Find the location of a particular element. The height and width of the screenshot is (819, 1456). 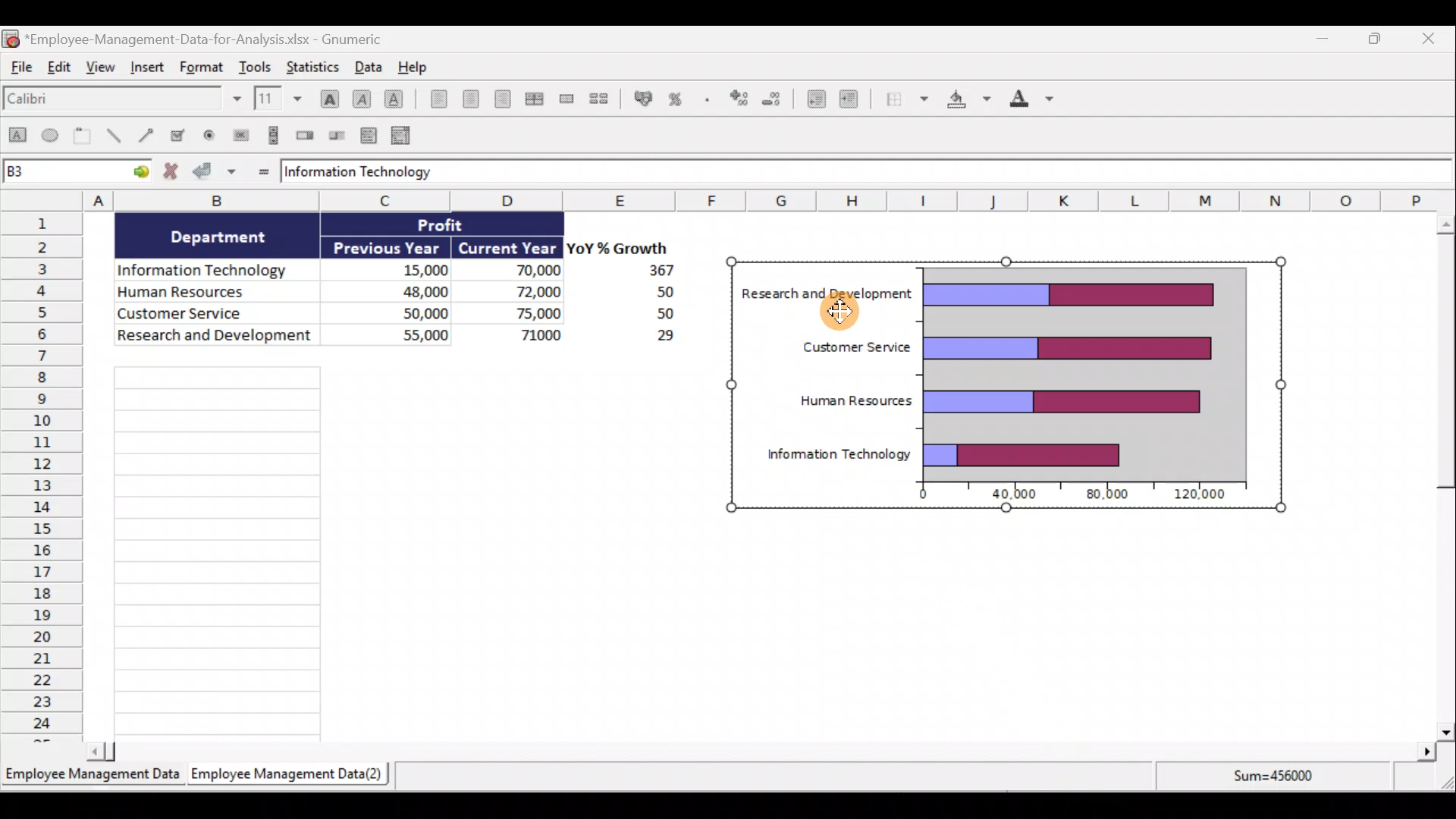

Scroll bar is located at coordinates (761, 751).